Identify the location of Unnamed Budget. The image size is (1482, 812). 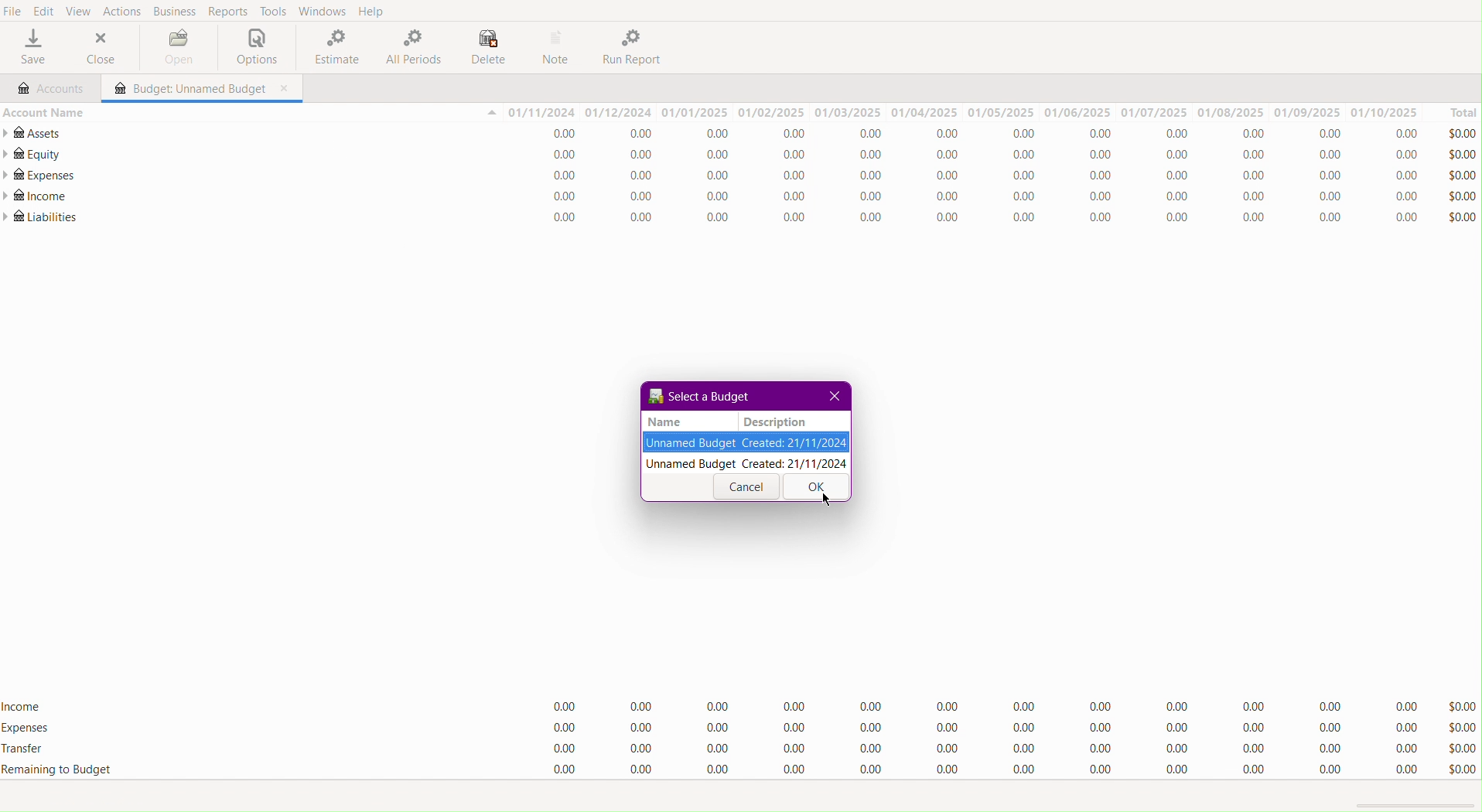
(747, 464).